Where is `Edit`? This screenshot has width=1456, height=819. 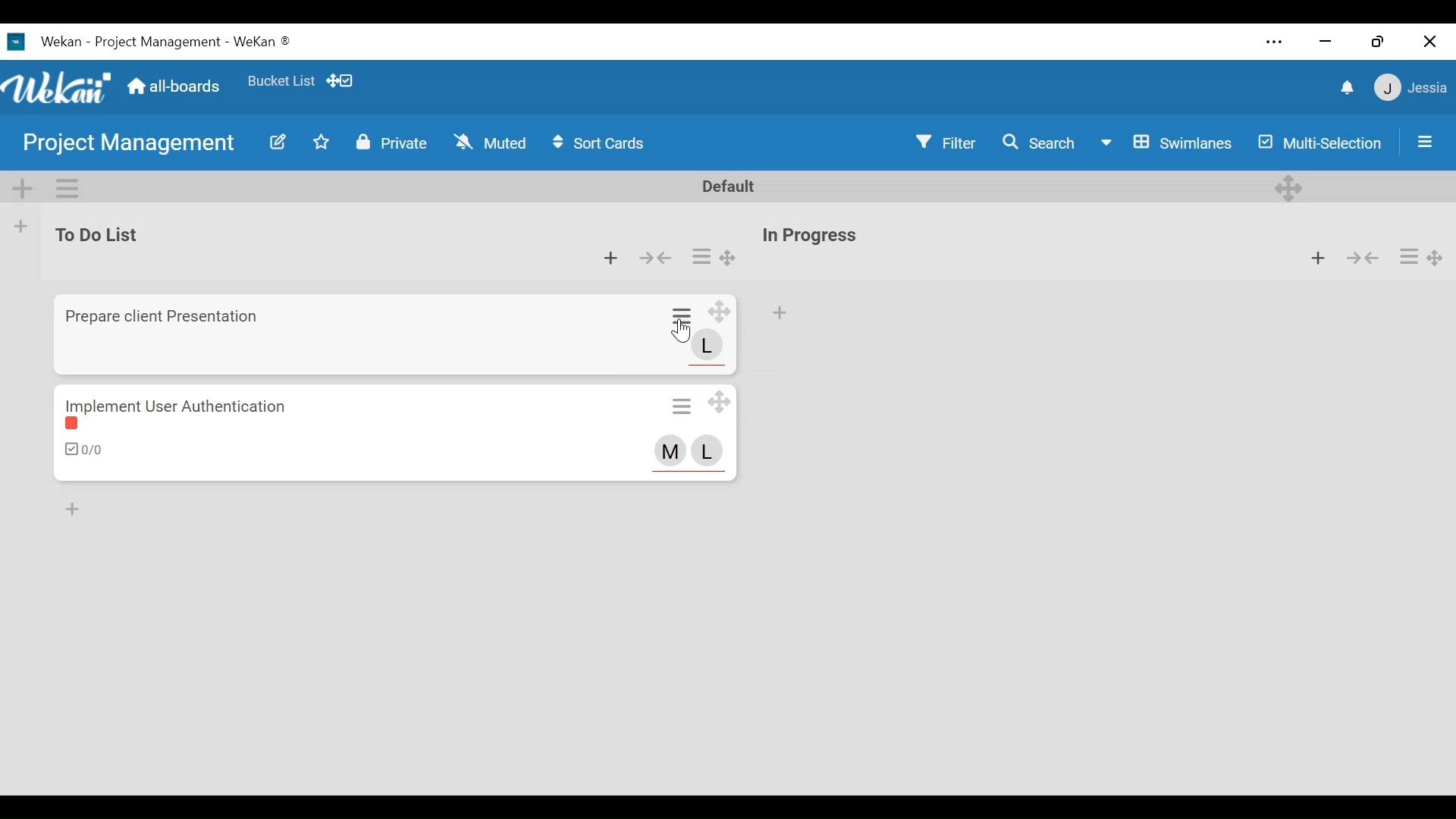
Edit is located at coordinates (279, 141).